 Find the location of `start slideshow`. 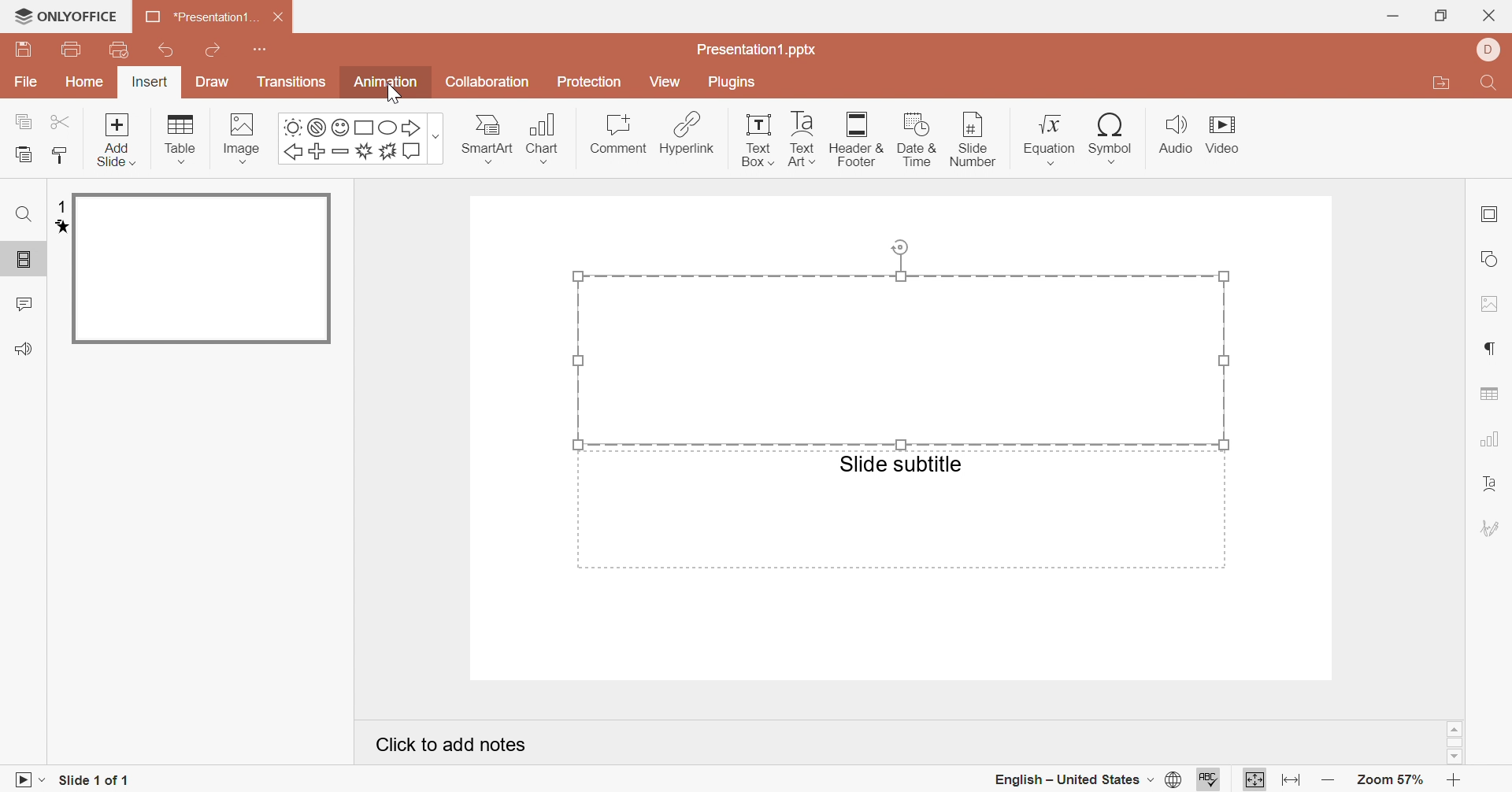

start slideshow is located at coordinates (24, 783).